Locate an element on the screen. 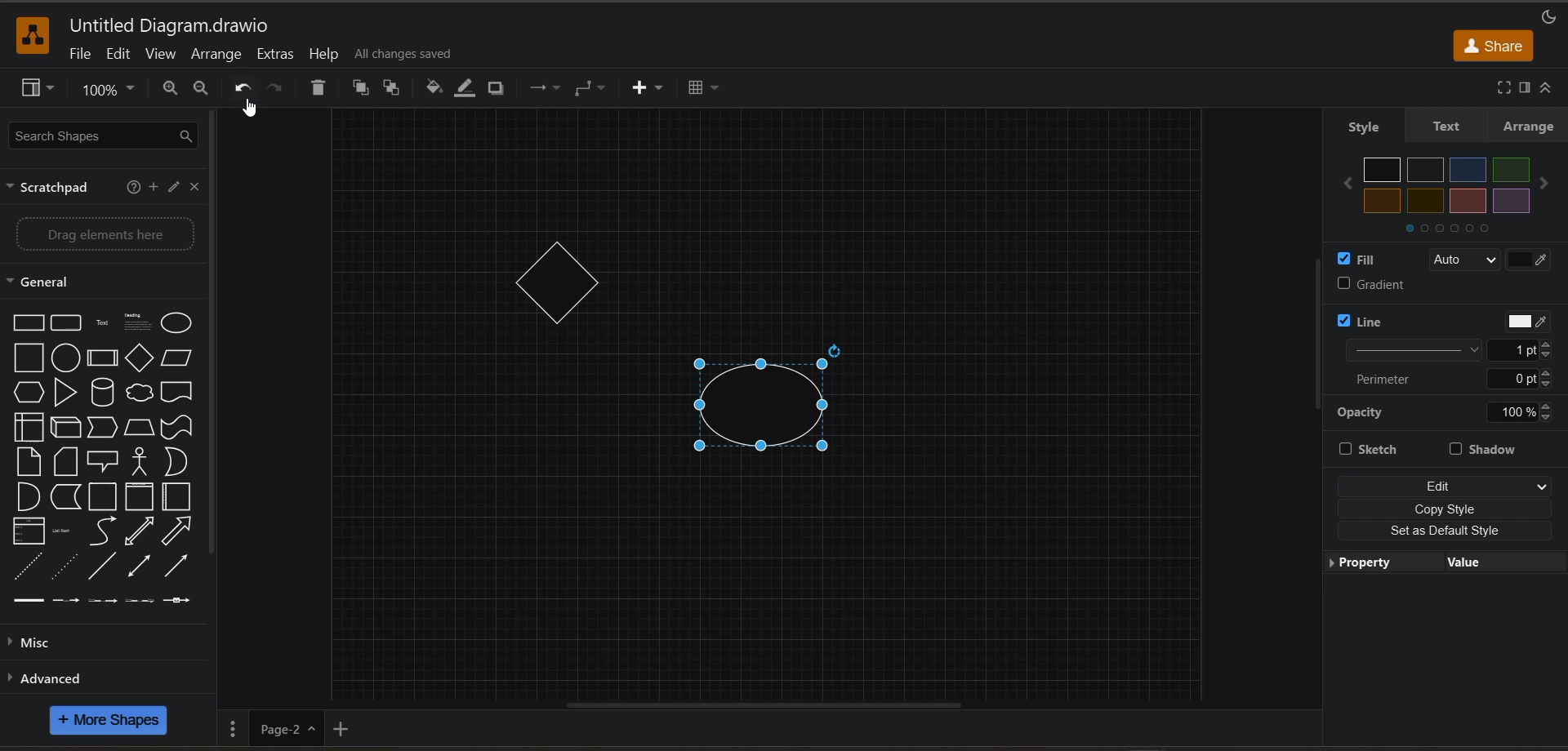 The height and width of the screenshot is (751, 1568). Cursor Position is located at coordinates (247, 109).